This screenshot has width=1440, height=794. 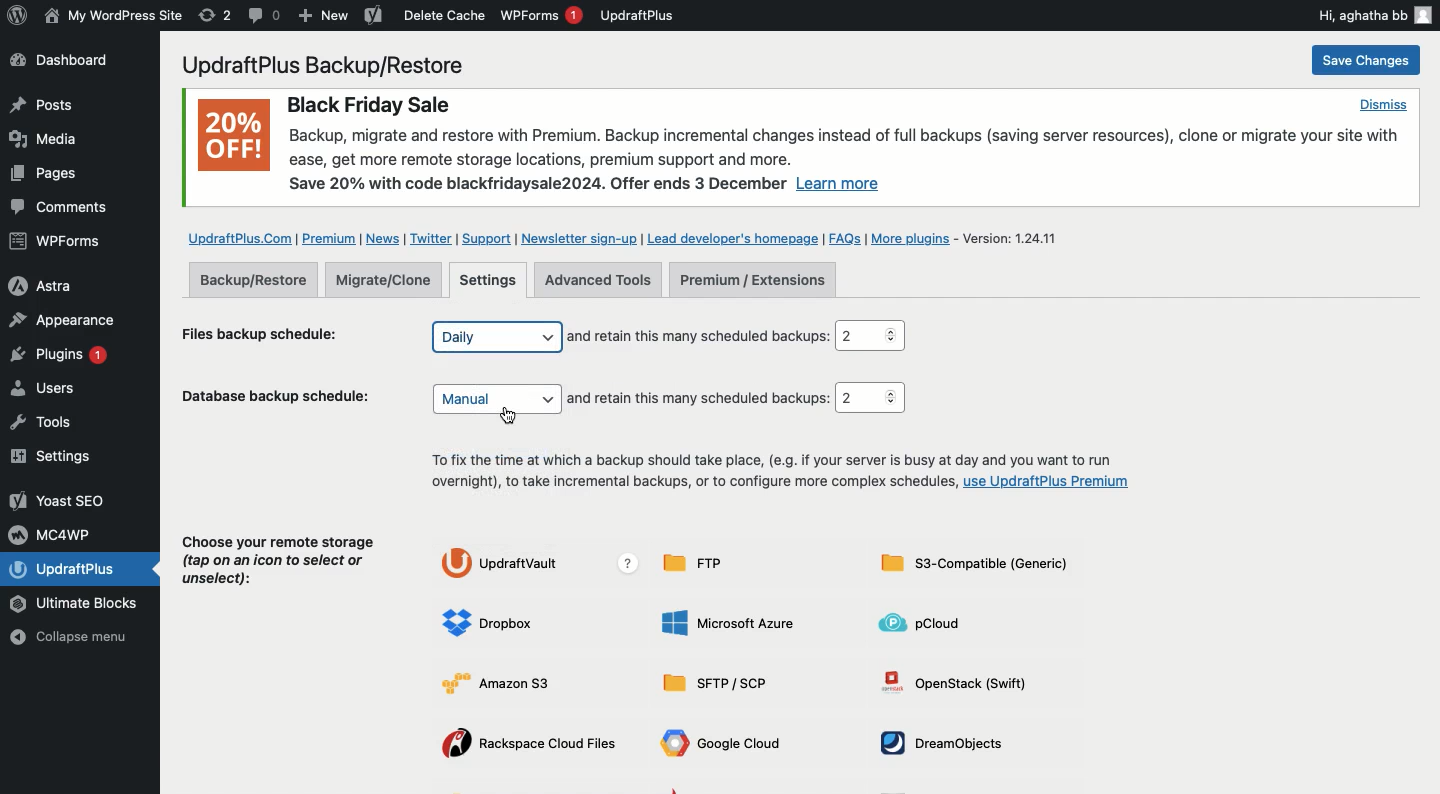 I want to click on Advanced tools, so click(x=598, y=280).